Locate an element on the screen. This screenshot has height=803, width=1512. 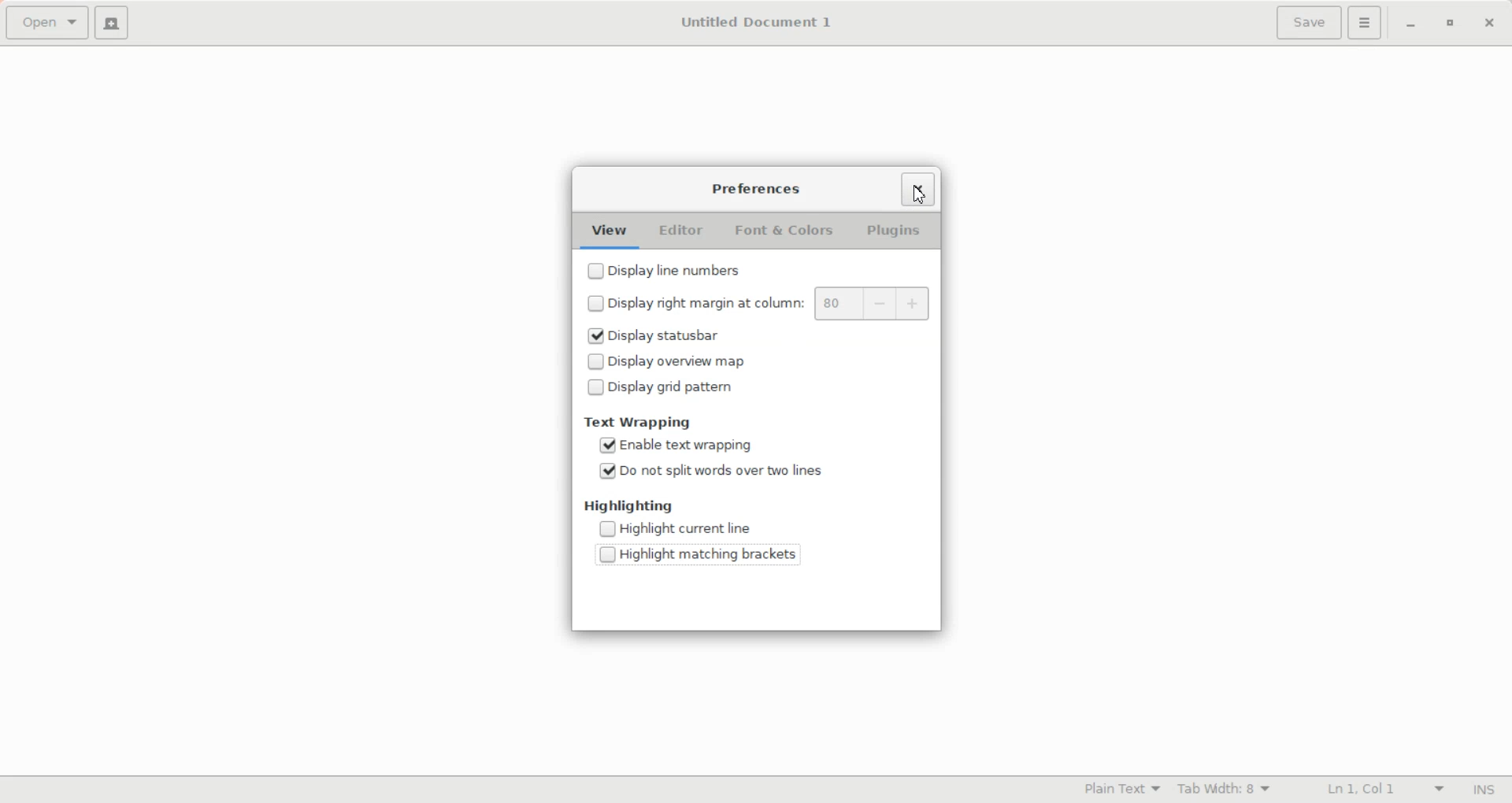
(un)check Disable Display right margin at column is located at coordinates (691, 302).